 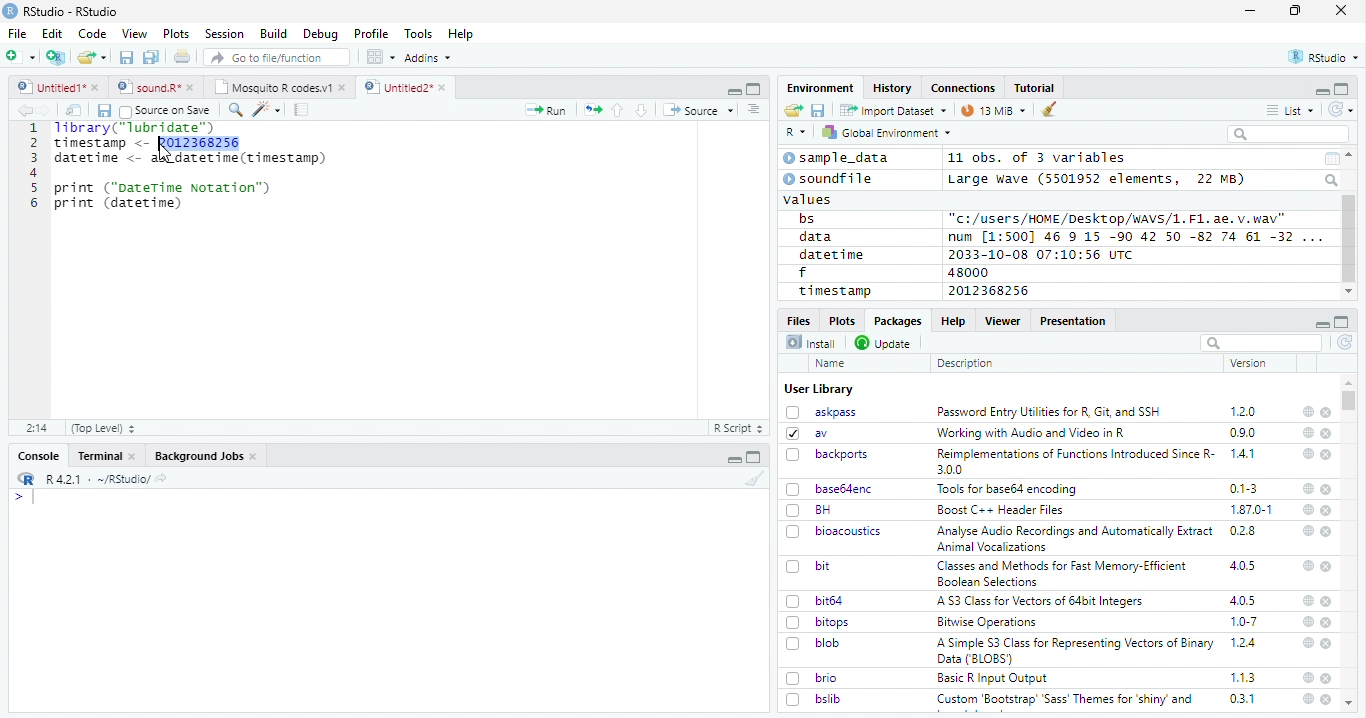 I want to click on Create a project, so click(x=56, y=57).